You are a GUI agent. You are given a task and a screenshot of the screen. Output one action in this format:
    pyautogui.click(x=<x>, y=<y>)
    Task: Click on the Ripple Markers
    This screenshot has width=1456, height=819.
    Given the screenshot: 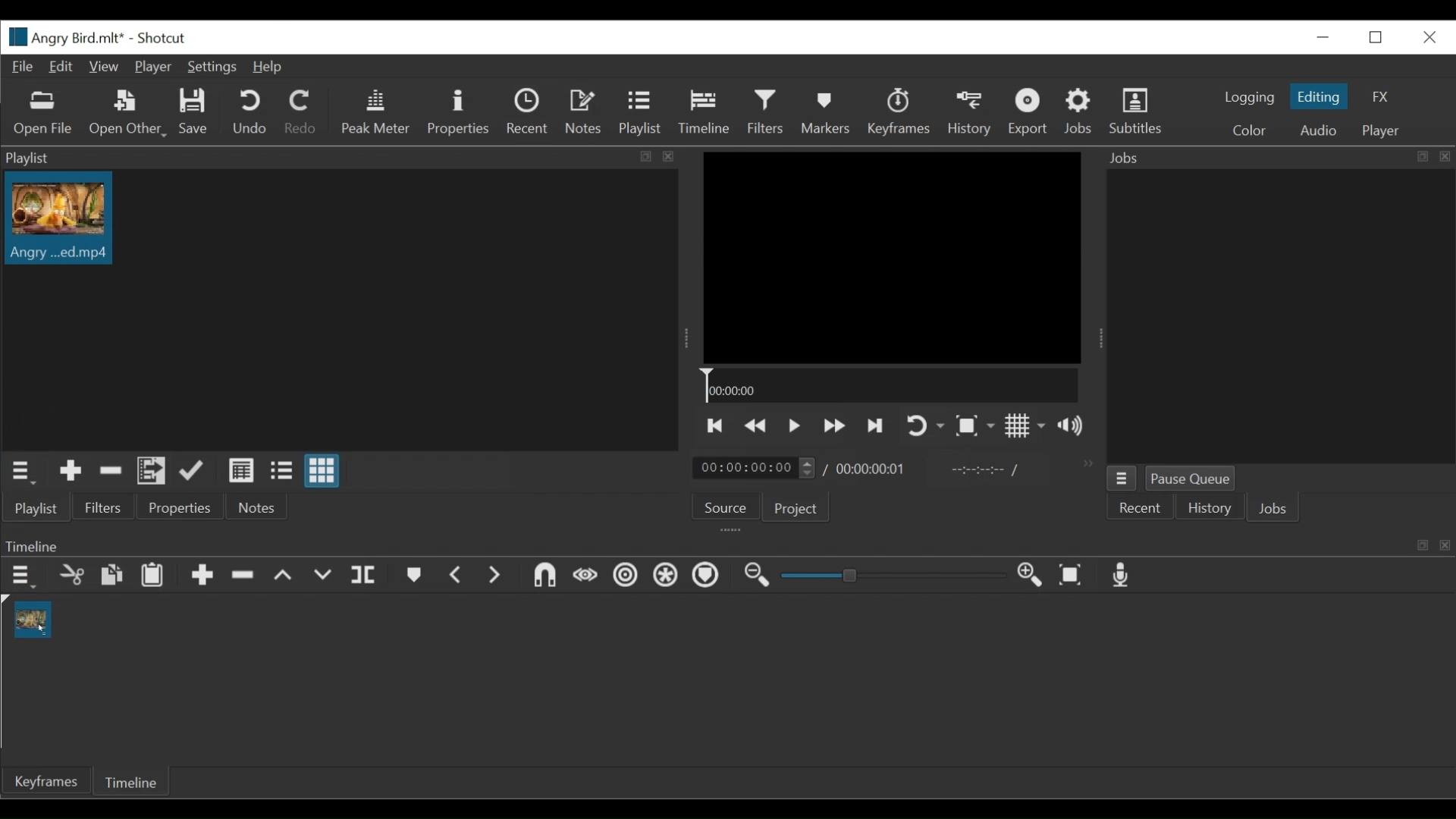 What is the action you would take?
    pyautogui.click(x=709, y=577)
    